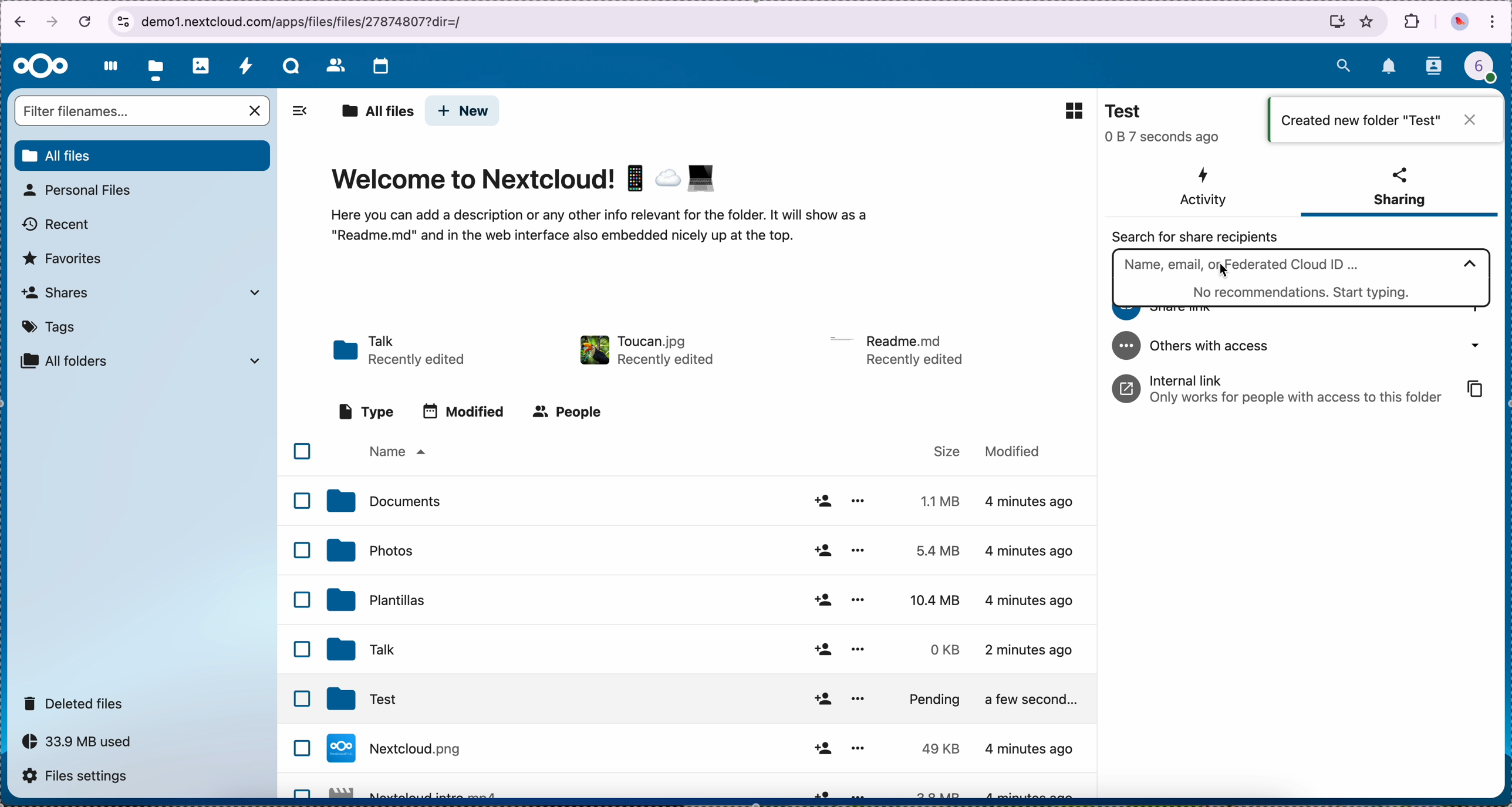 Image resolution: width=1512 pixels, height=807 pixels. I want to click on shares, so click(140, 292).